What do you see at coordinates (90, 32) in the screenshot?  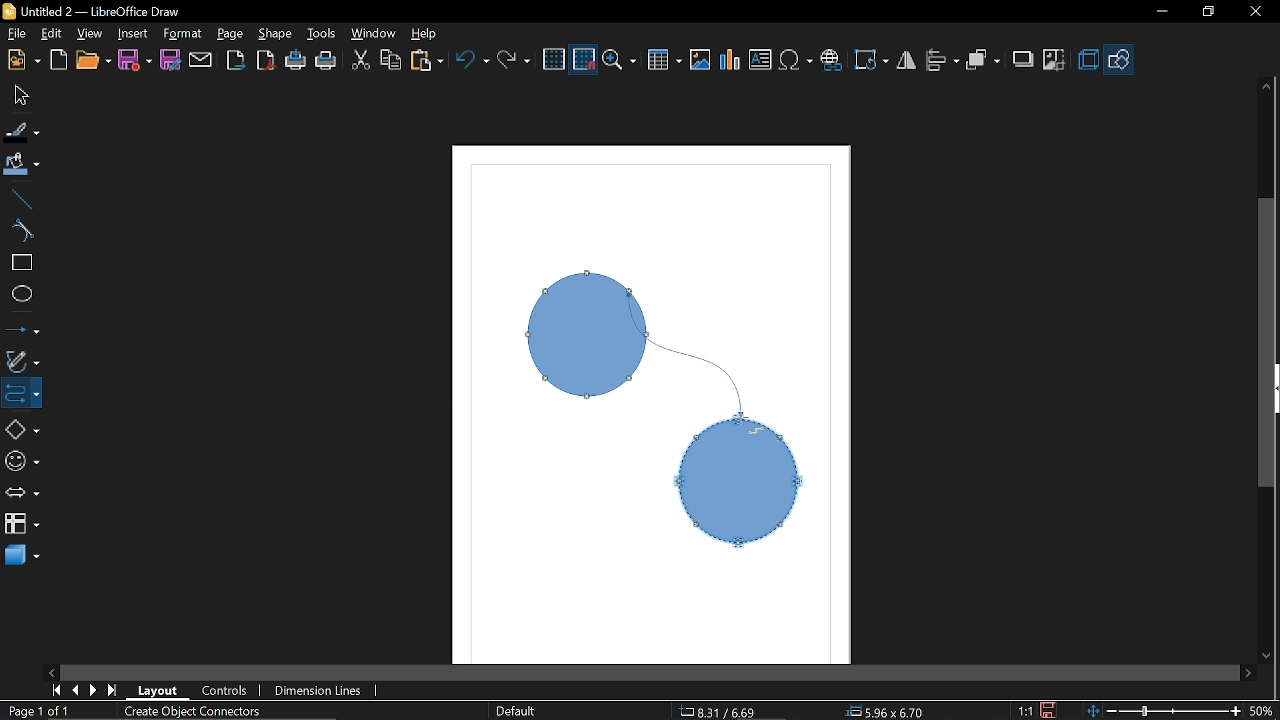 I see `View` at bounding box center [90, 32].